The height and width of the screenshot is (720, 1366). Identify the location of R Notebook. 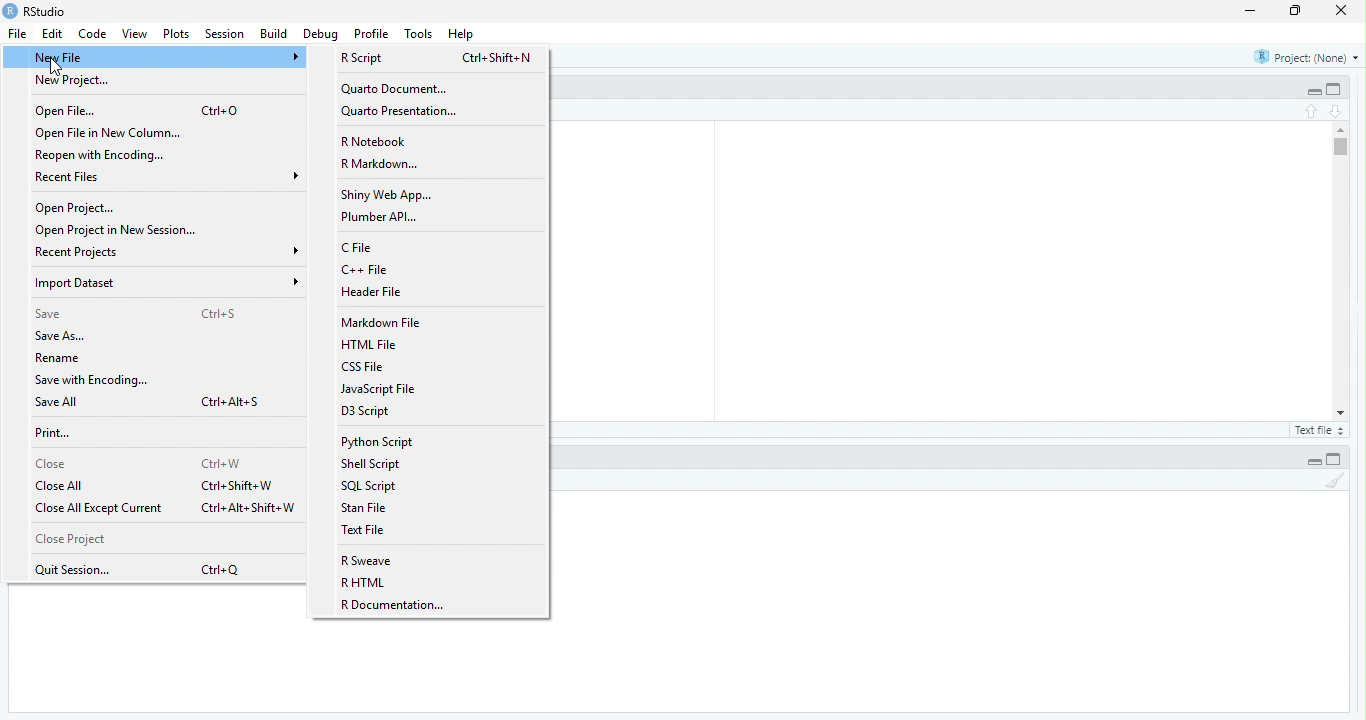
(376, 142).